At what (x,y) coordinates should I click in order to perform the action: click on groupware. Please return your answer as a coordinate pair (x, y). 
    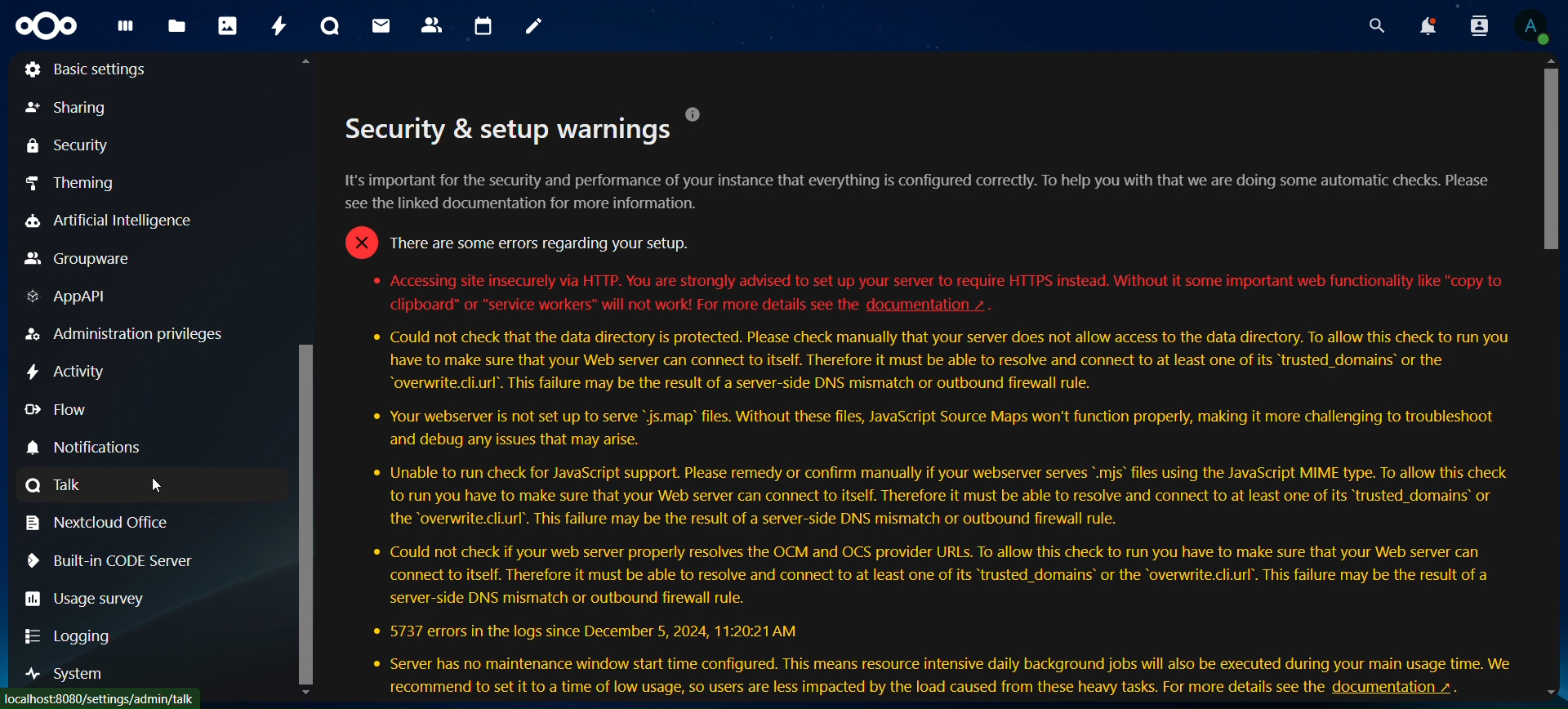
    Looking at the image, I should click on (82, 259).